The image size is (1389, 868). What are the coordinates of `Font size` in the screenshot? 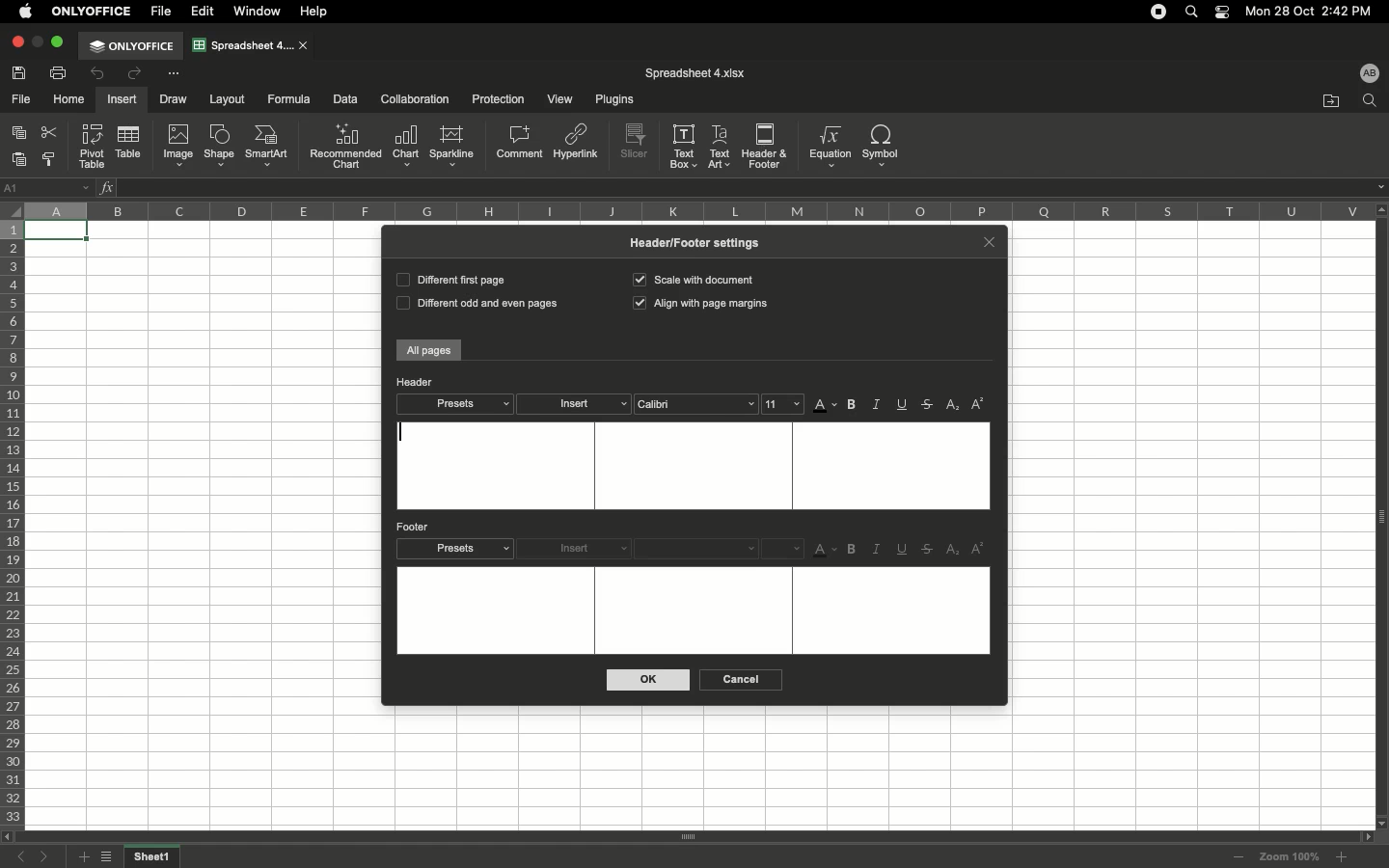 It's located at (783, 403).